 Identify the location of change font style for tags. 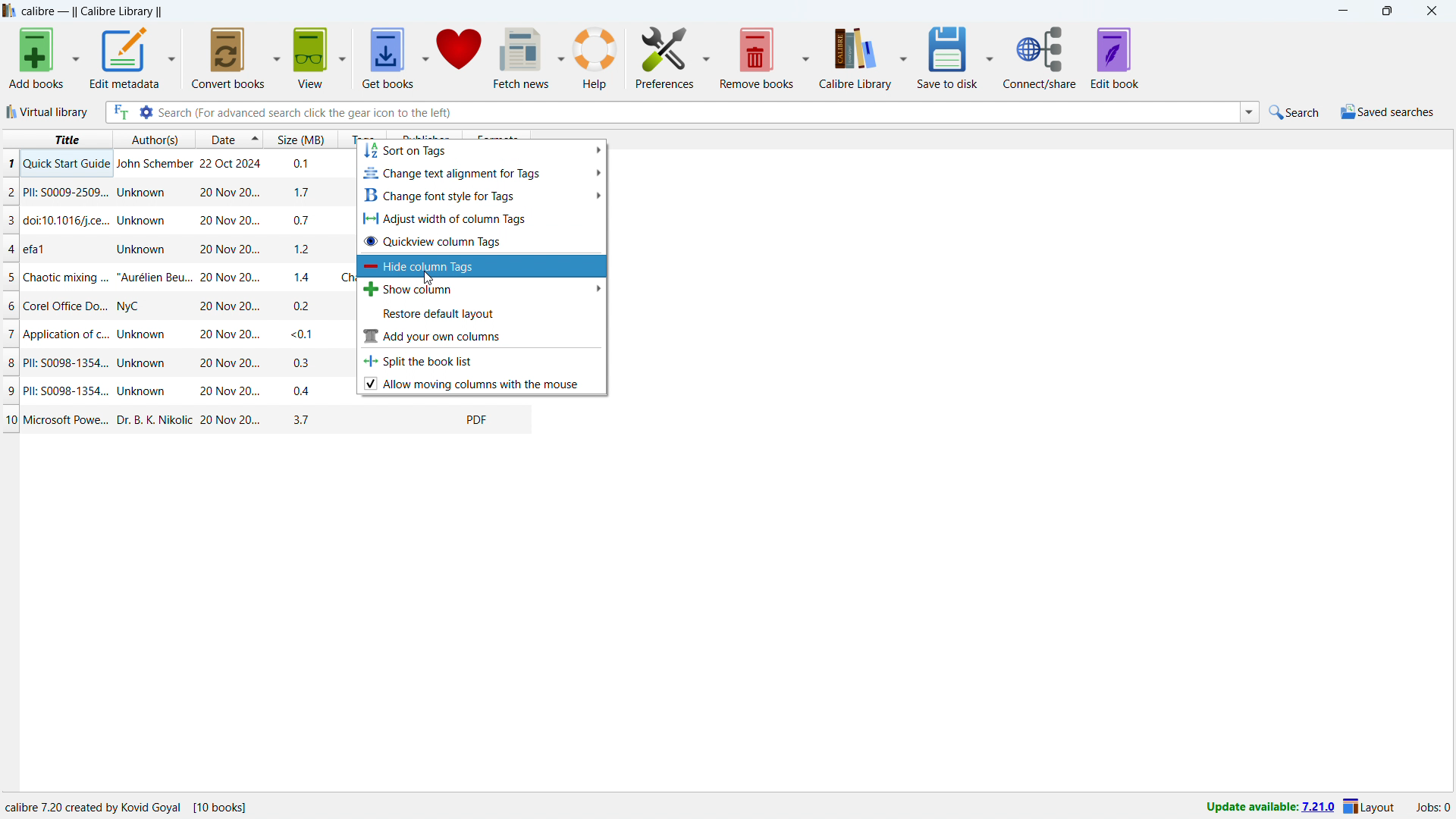
(482, 194).